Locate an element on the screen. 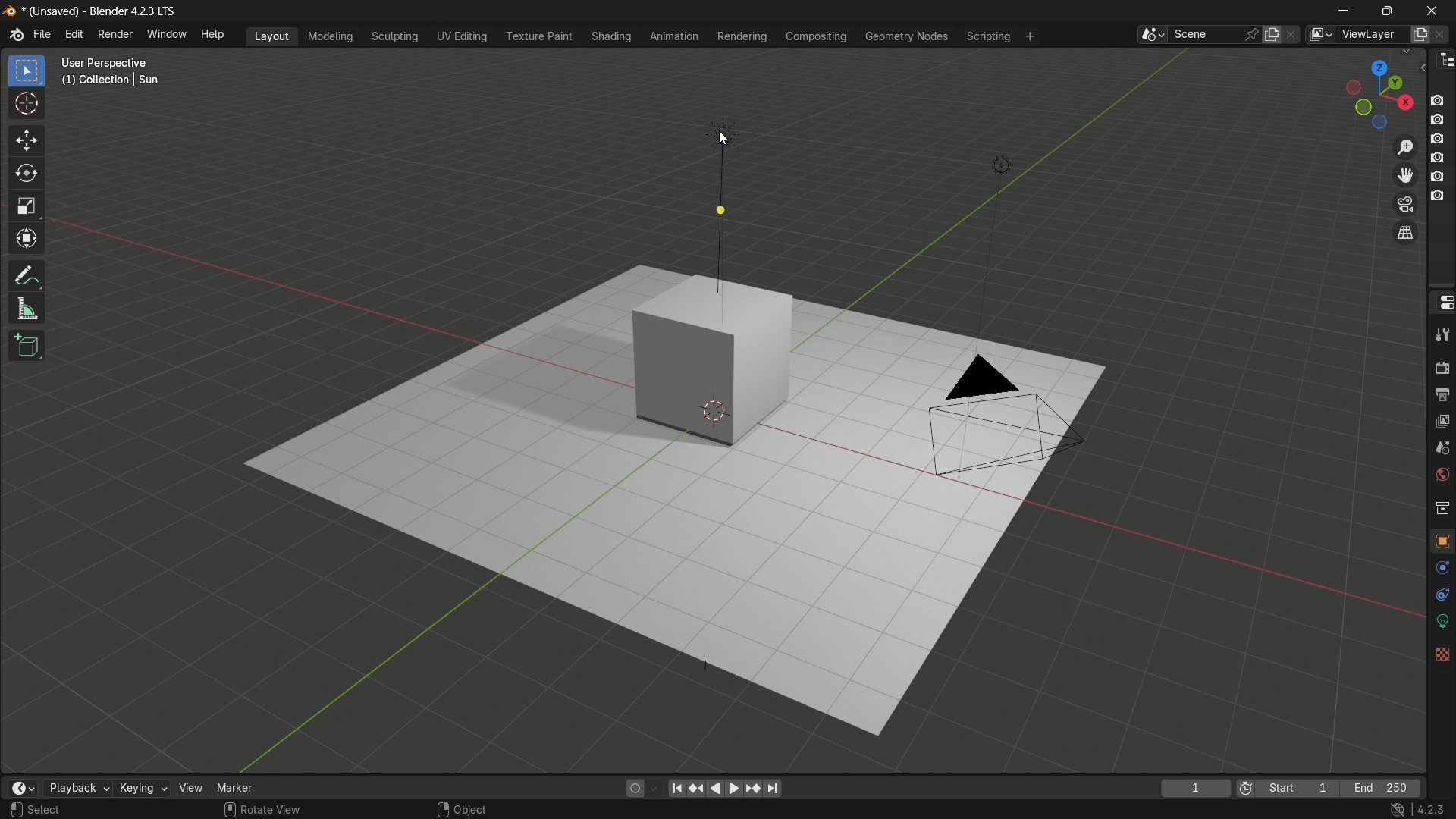 The height and width of the screenshot is (819, 1456). object is located at coordinates (1442, 537).